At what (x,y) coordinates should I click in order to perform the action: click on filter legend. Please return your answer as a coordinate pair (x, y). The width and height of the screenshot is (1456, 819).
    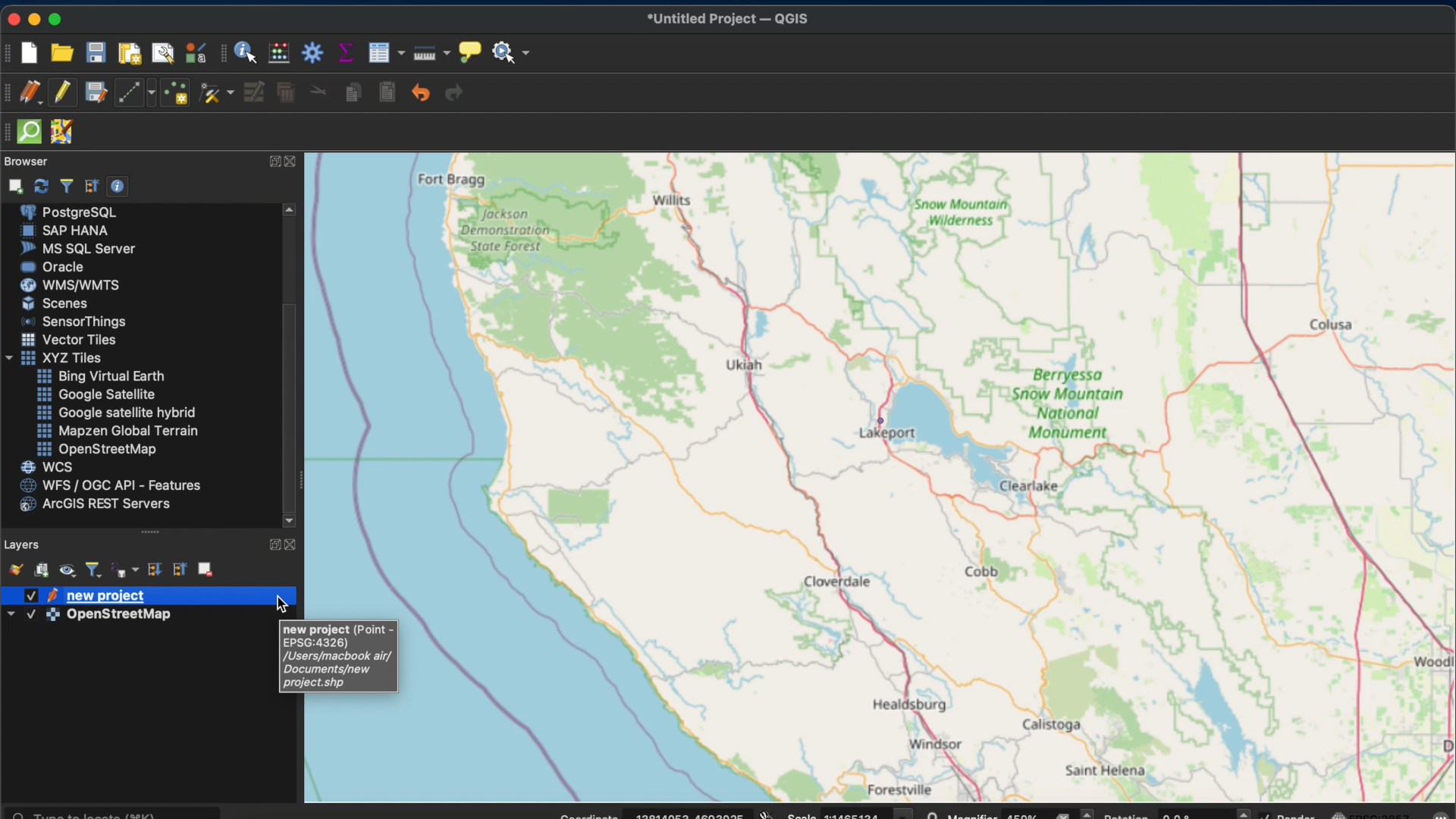
    Looking at the image, I should click on (95, 571).